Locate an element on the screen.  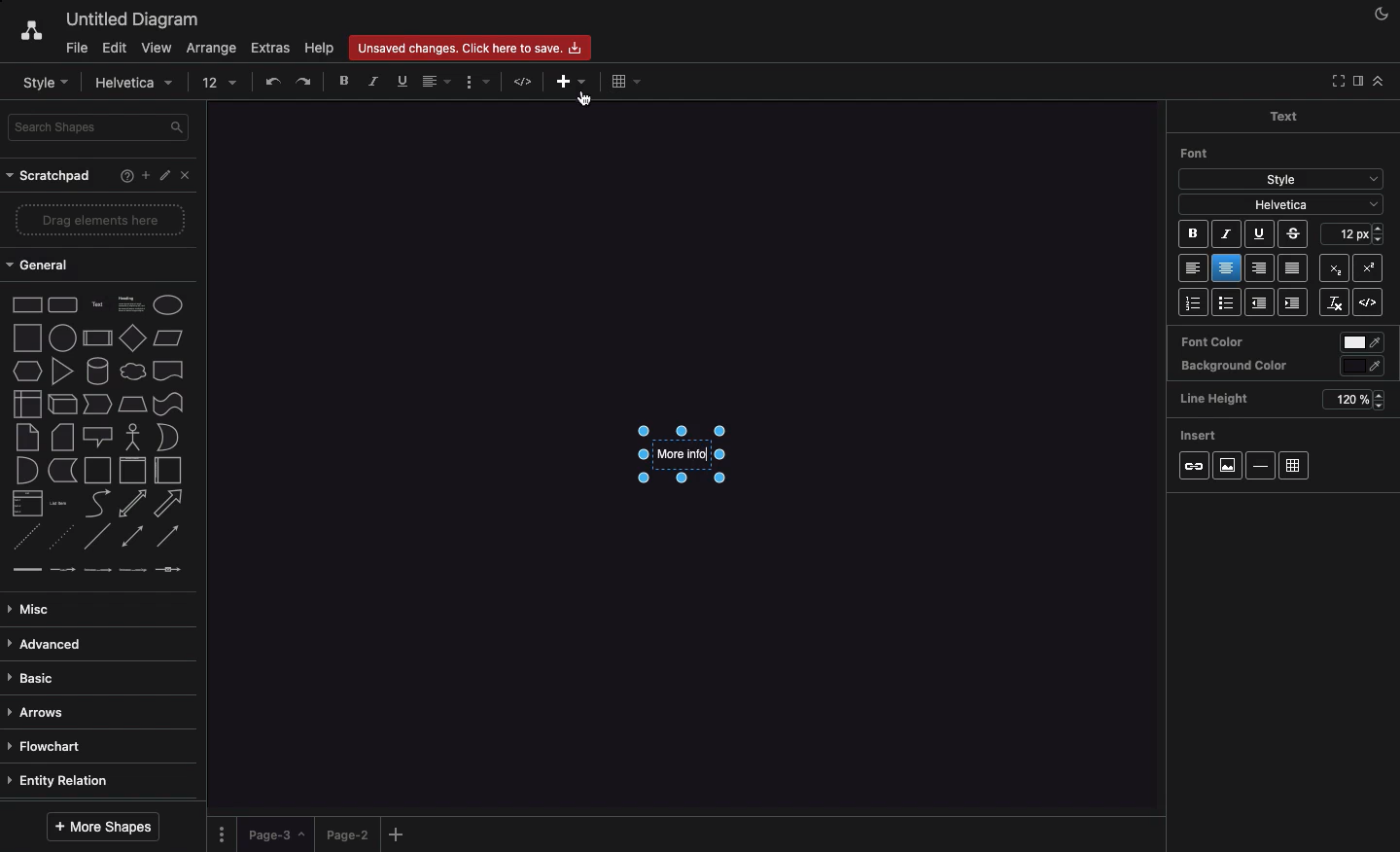
text is located at coordinates (98, 306).